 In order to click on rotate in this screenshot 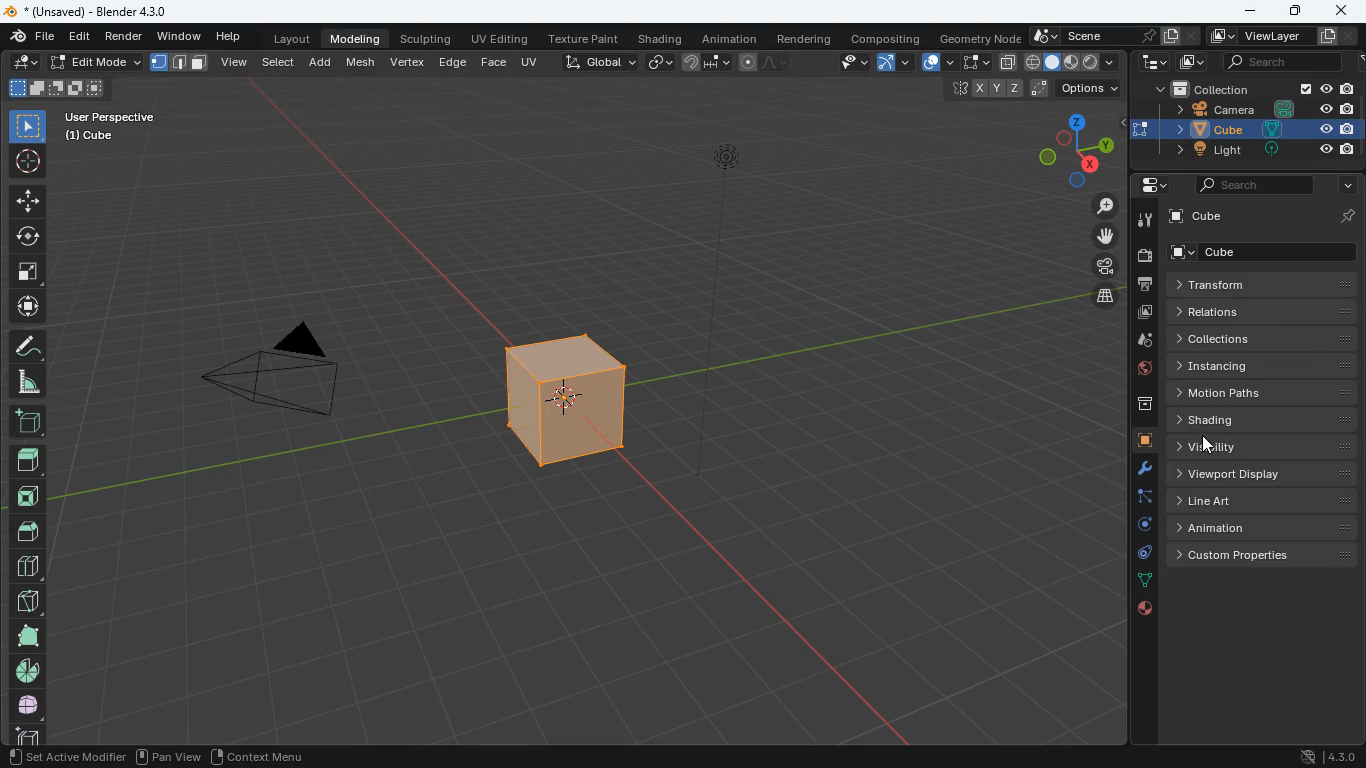, I will do `click(1141, 526)`.